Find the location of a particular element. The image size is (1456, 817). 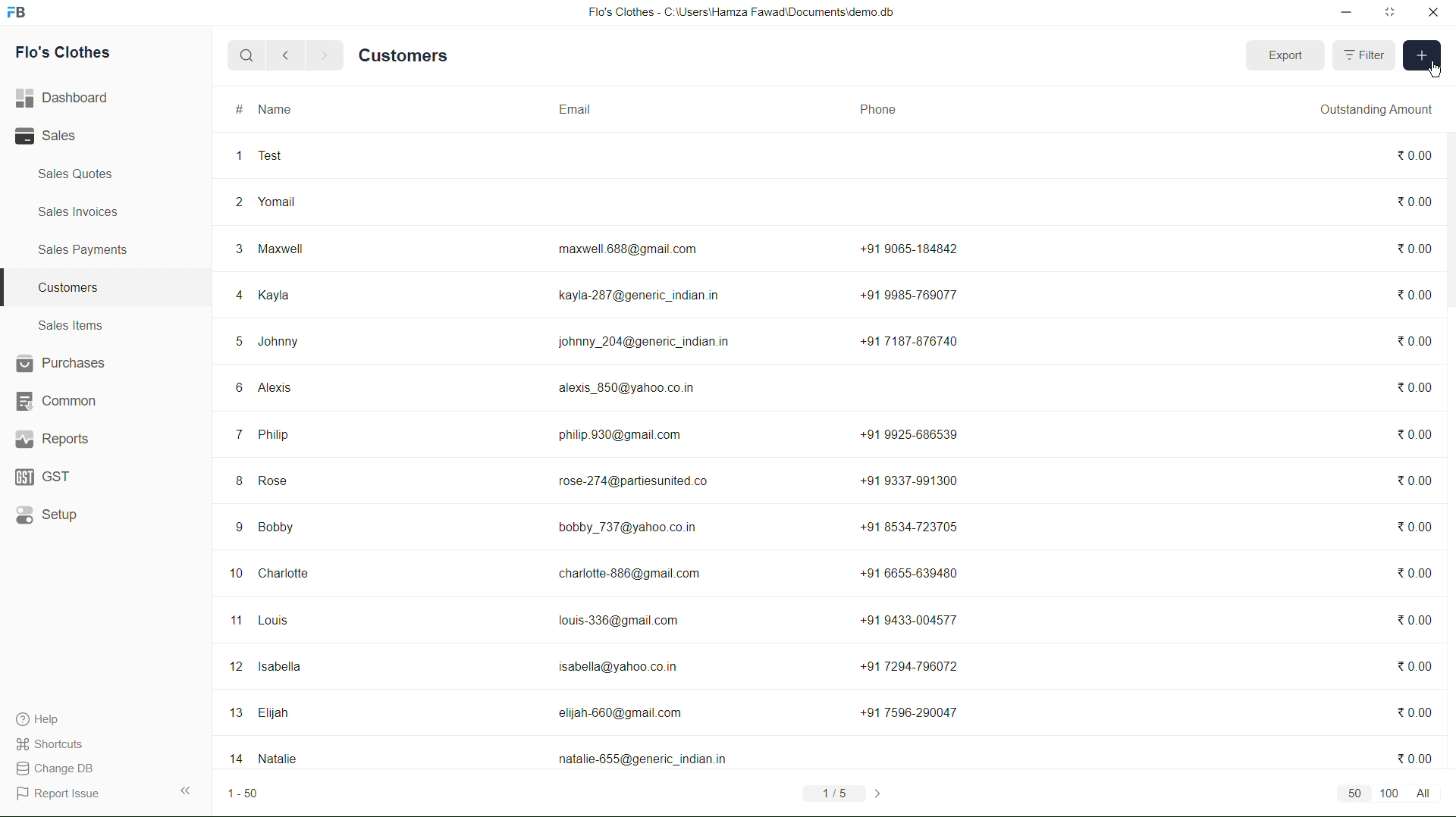

Louis is located at coordinates (273, 621).